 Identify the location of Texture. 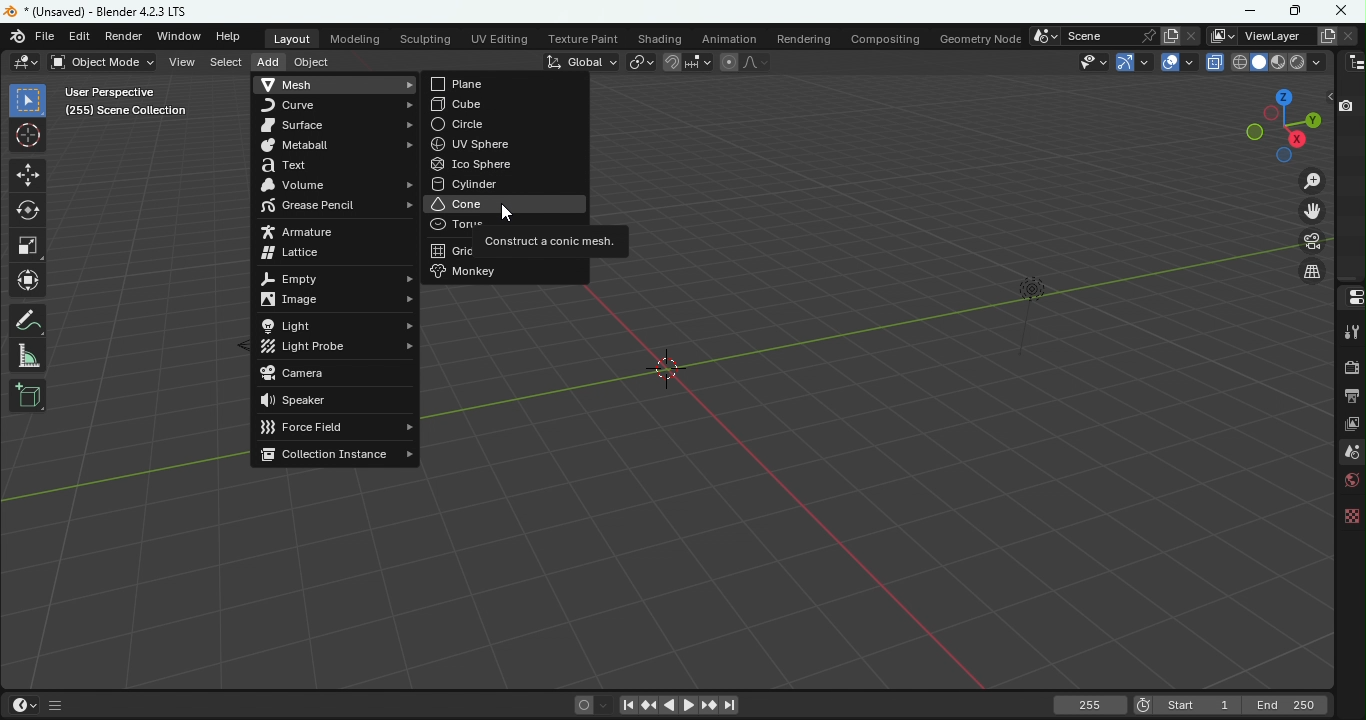
(1349, 520).